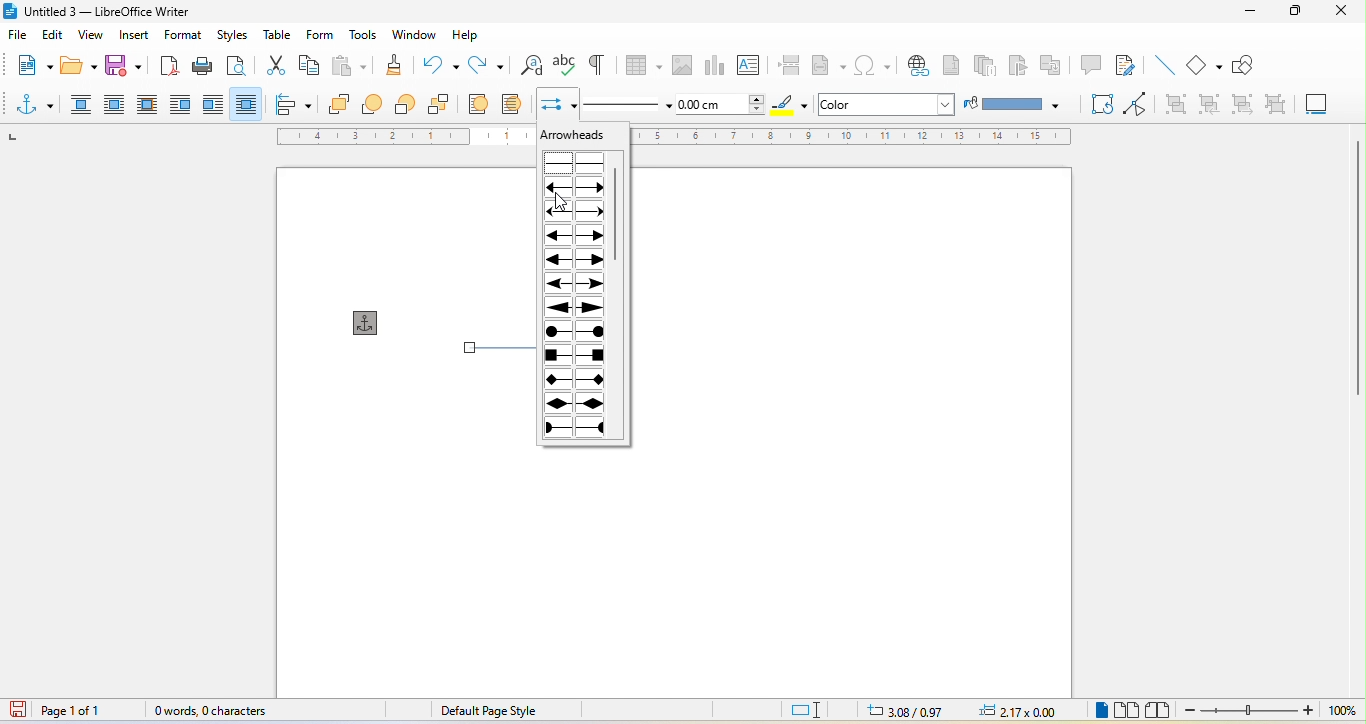  What do you see at coordinates (1092, 63) in the screenshot?
I see `comment` at bounding box center [1092, 63].